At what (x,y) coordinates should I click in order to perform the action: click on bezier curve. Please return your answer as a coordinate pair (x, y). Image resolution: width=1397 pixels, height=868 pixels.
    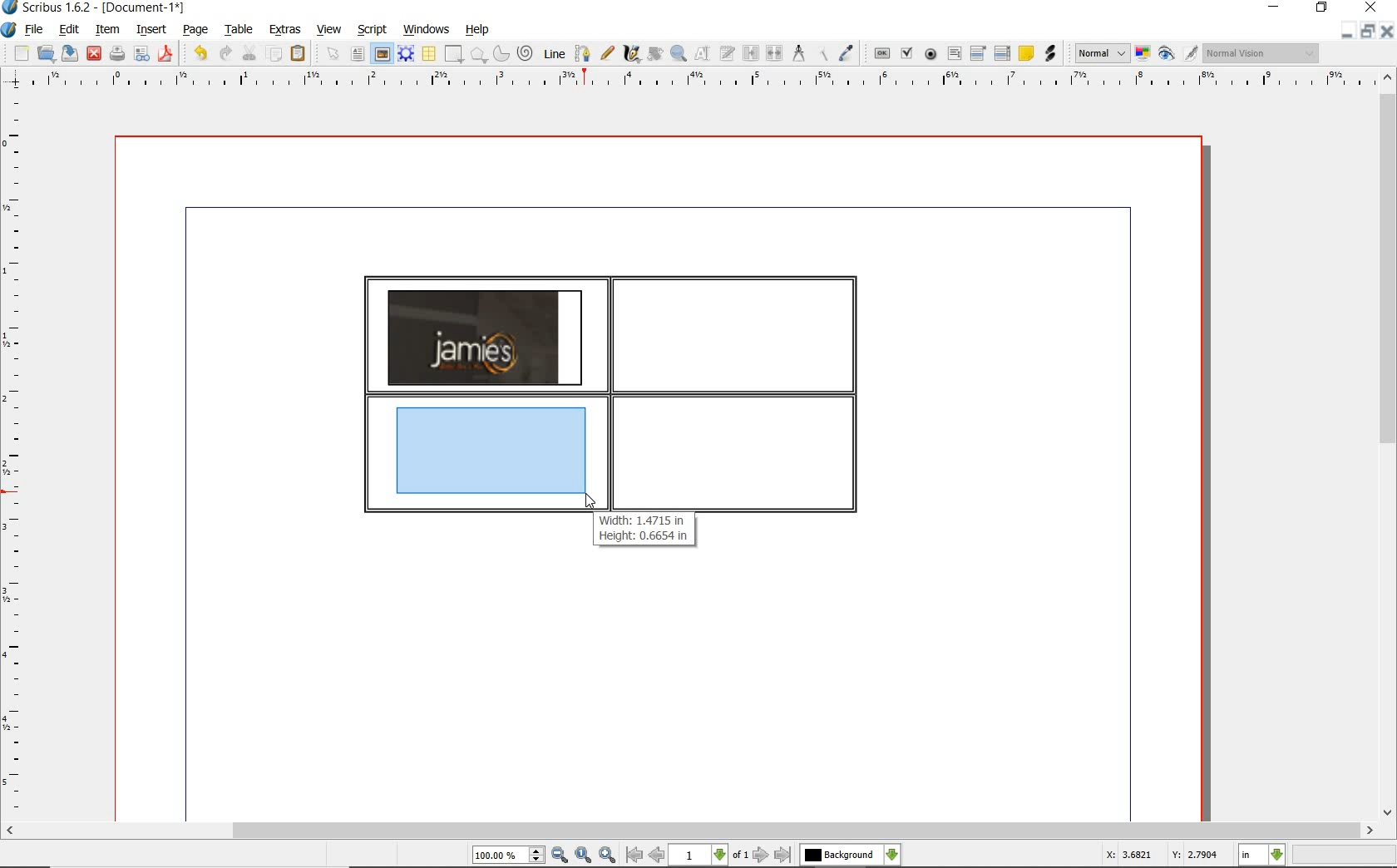
    Looking at the image, I should click on (582, 53).